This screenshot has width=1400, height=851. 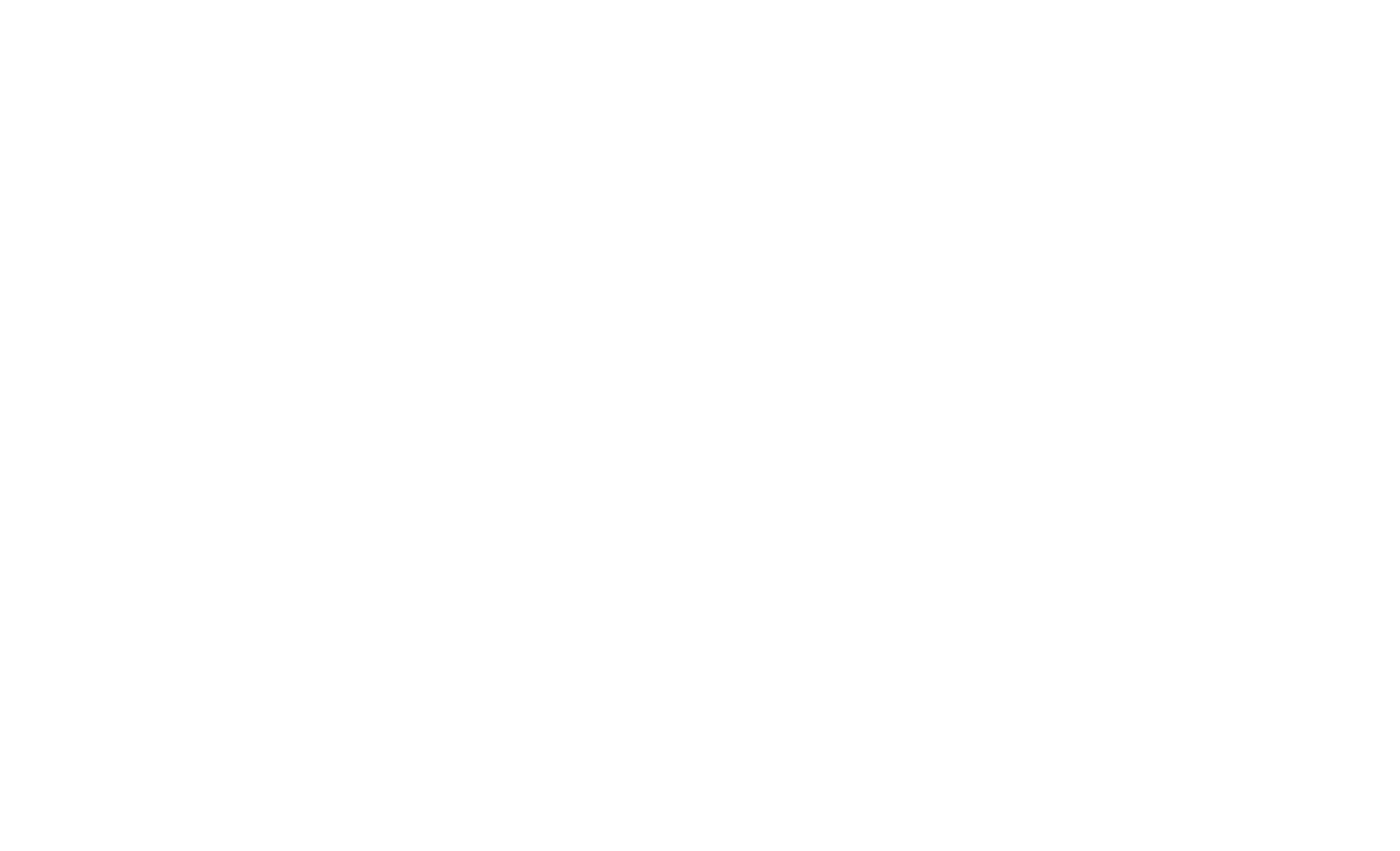 What do you see at coordinates (130, 801) in the screenshot?
I see `Move up` at bounding box center [130, 801].